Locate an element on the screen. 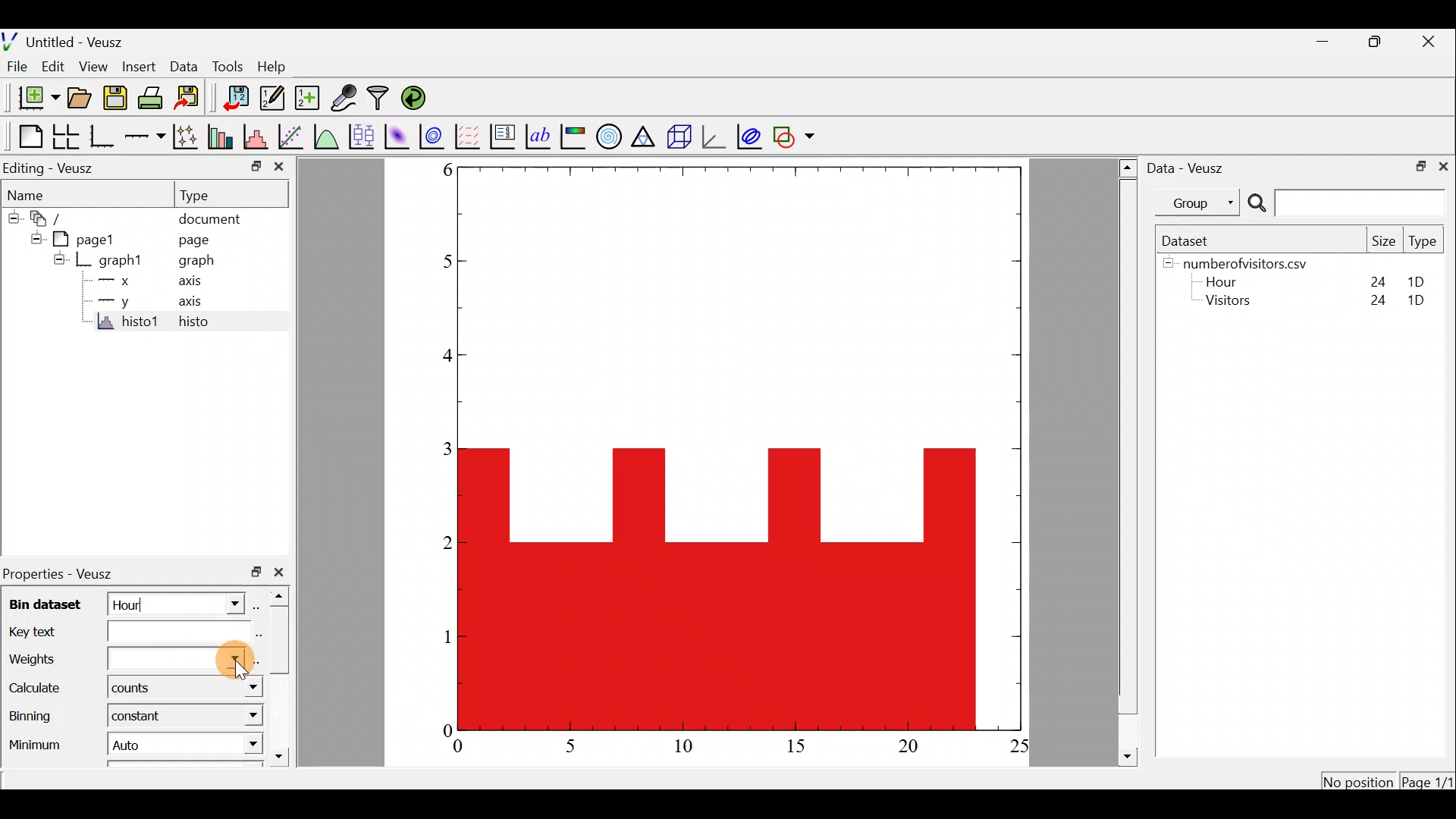  Minimum dropdown is located at coordinates (231, 745).